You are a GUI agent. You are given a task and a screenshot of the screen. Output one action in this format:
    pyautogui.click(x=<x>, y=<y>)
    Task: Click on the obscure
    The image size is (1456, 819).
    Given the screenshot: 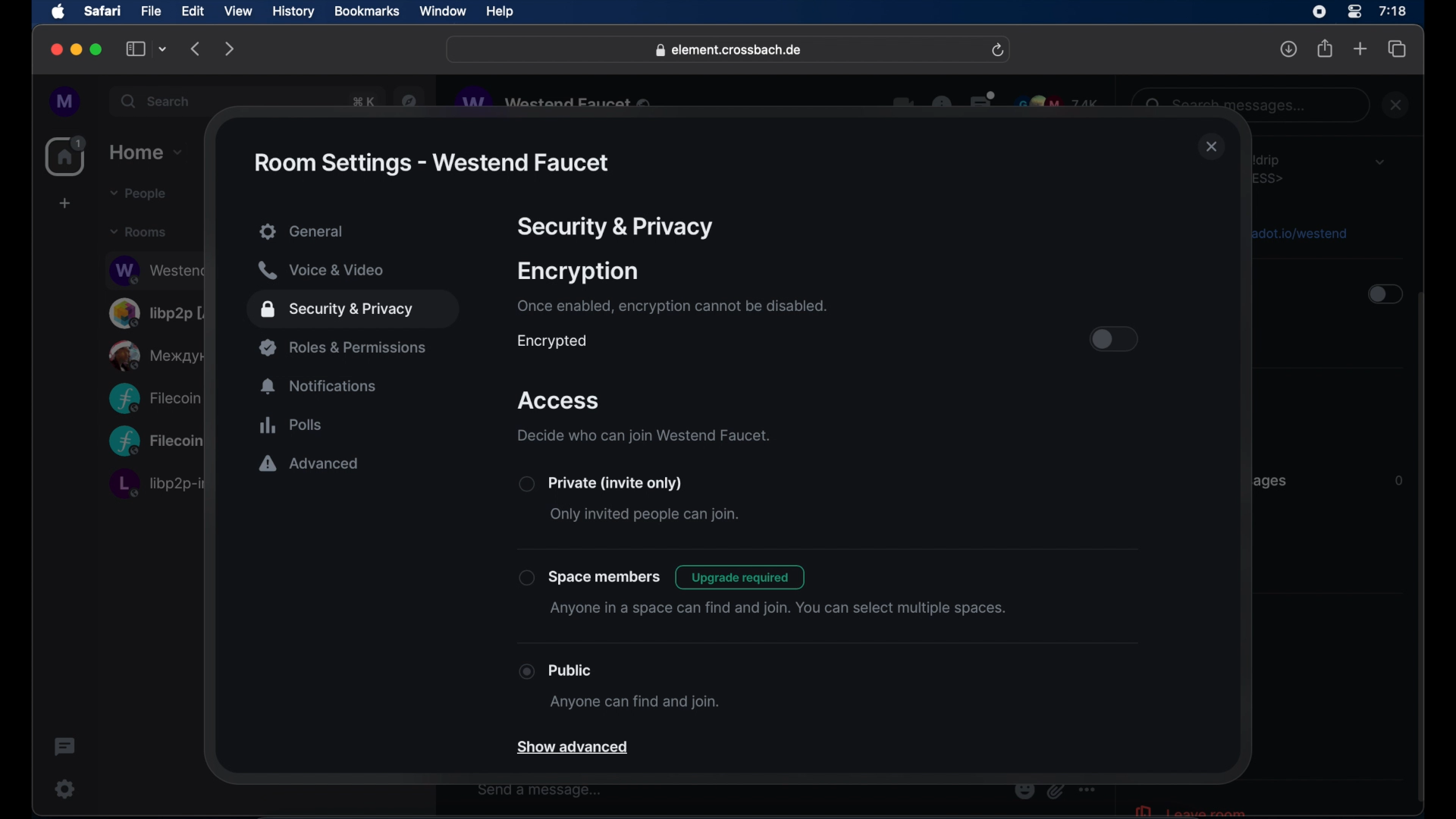 What is the action you would take?
    pyautogui.click(x=156, y=269)
    